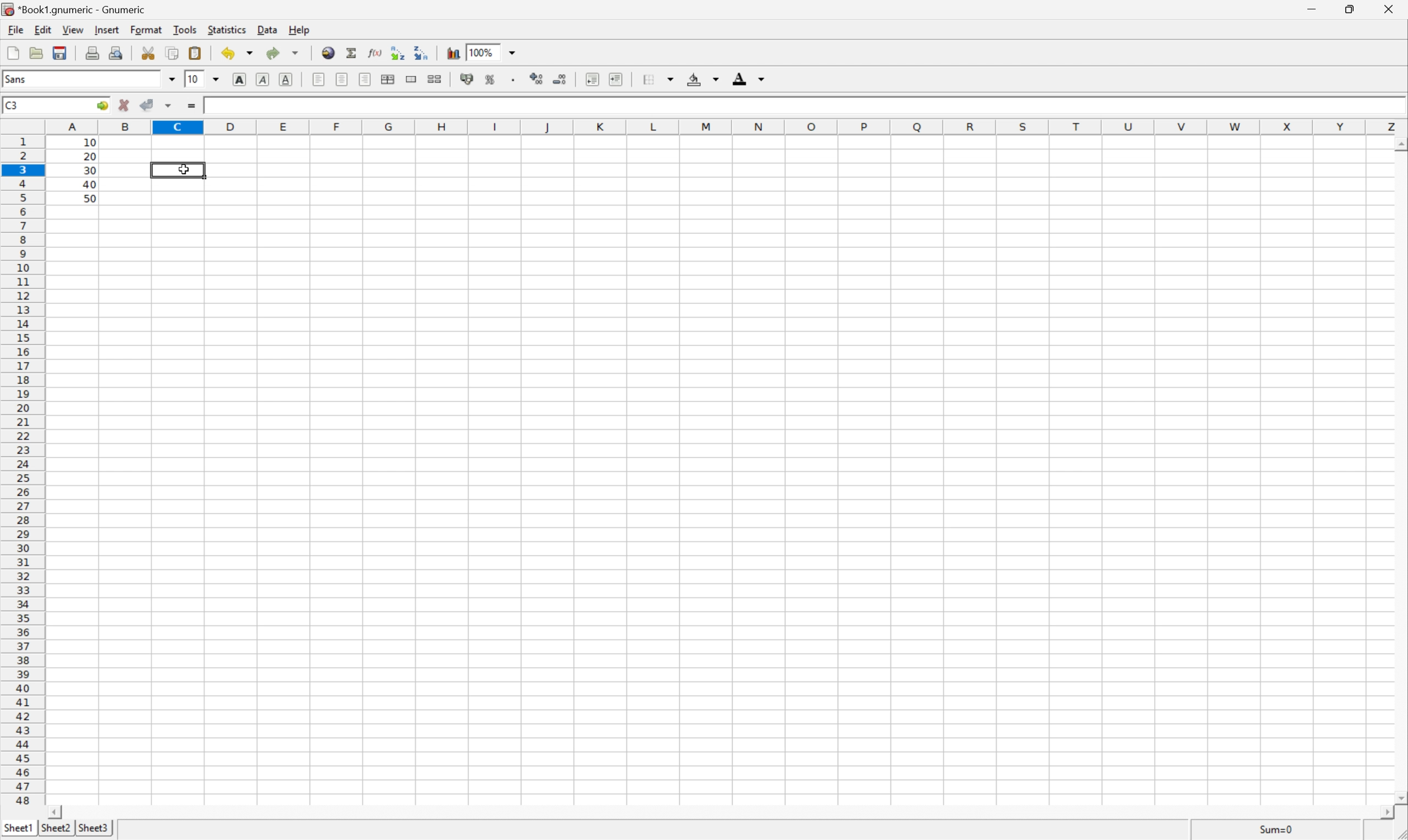 This screenshot has width=1408, height=840. Describe the element at coordinates (273, 54) in the screenshot. I see `redo` at that location.